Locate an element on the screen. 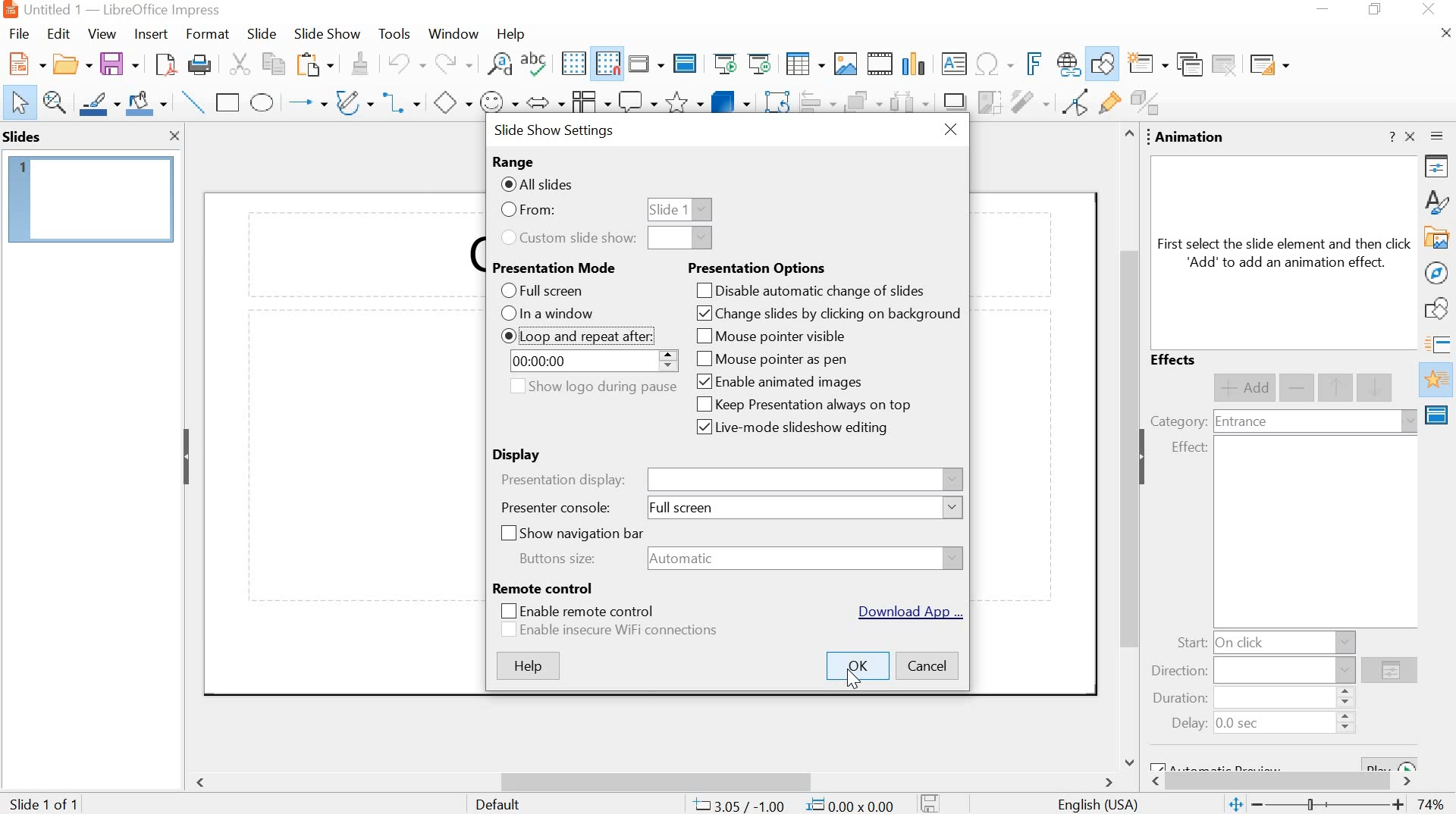 This screenshot has width=1456, height=814. undo is located at coordinates (404, 62).